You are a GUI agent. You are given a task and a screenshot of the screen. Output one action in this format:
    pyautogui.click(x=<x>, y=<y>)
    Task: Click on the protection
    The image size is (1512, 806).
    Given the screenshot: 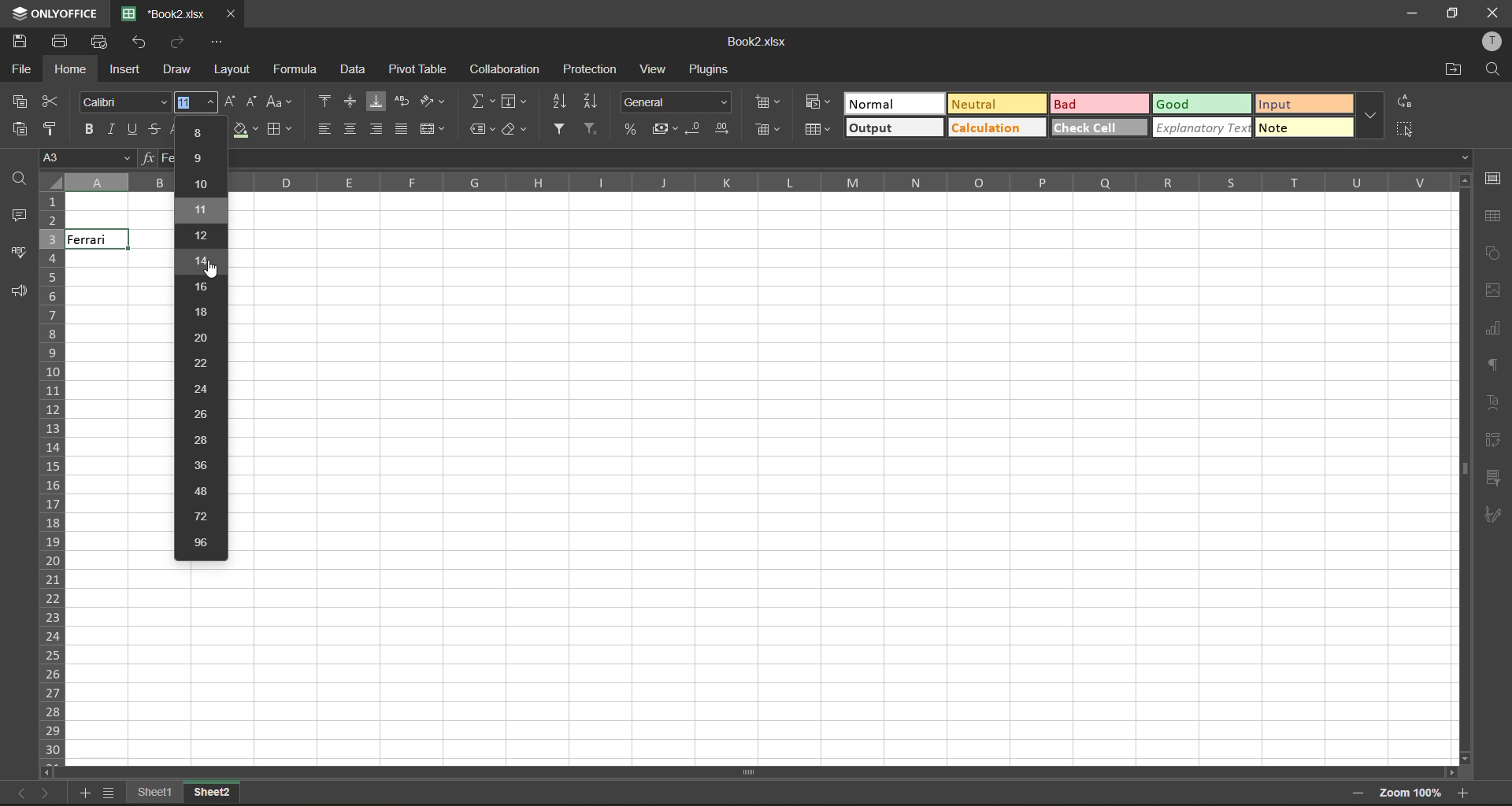 What is the action you would take?
    pyautogui.click(x=592, y=68)
    